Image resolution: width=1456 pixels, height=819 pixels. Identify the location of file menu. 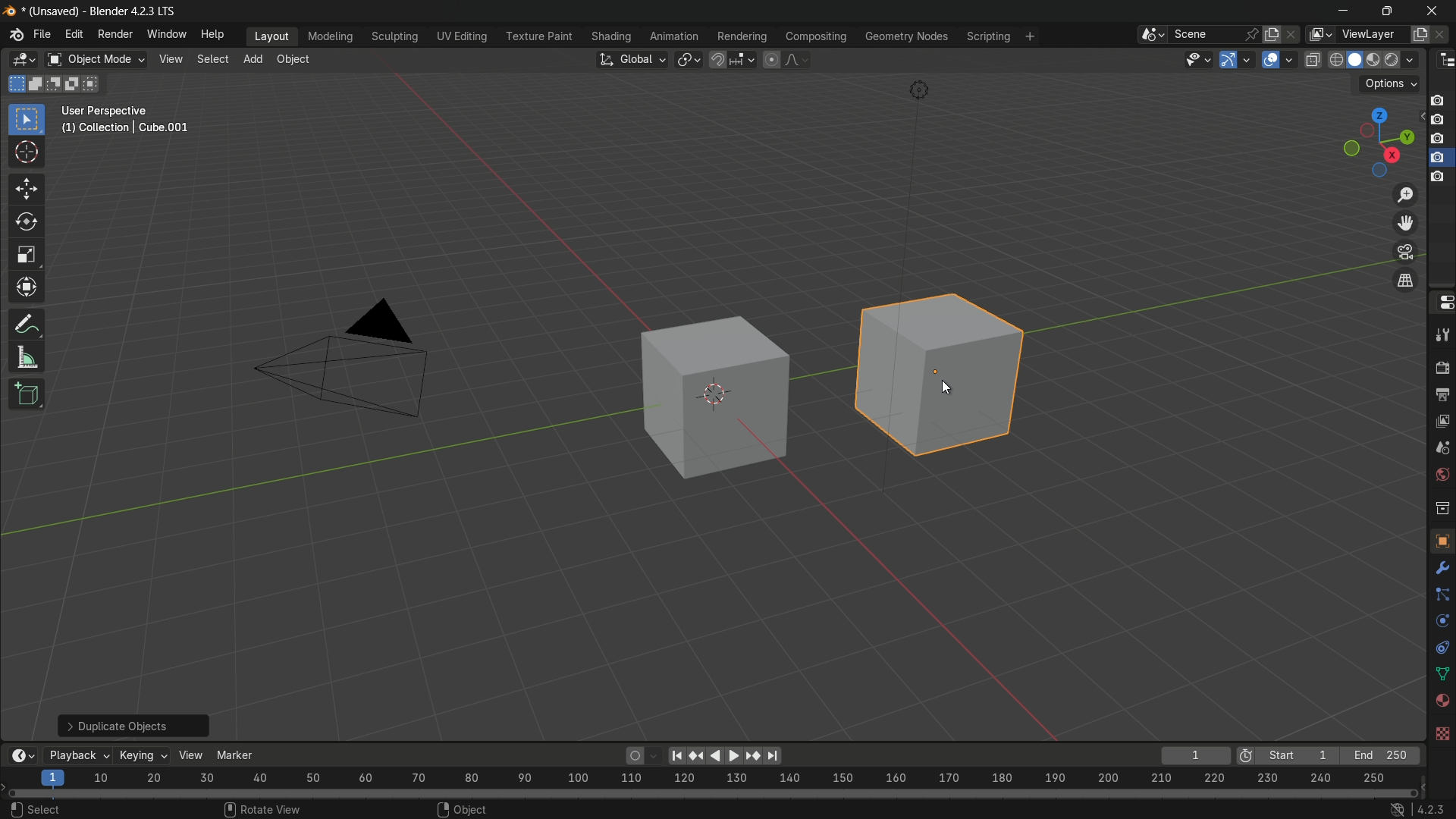
(42, 33).